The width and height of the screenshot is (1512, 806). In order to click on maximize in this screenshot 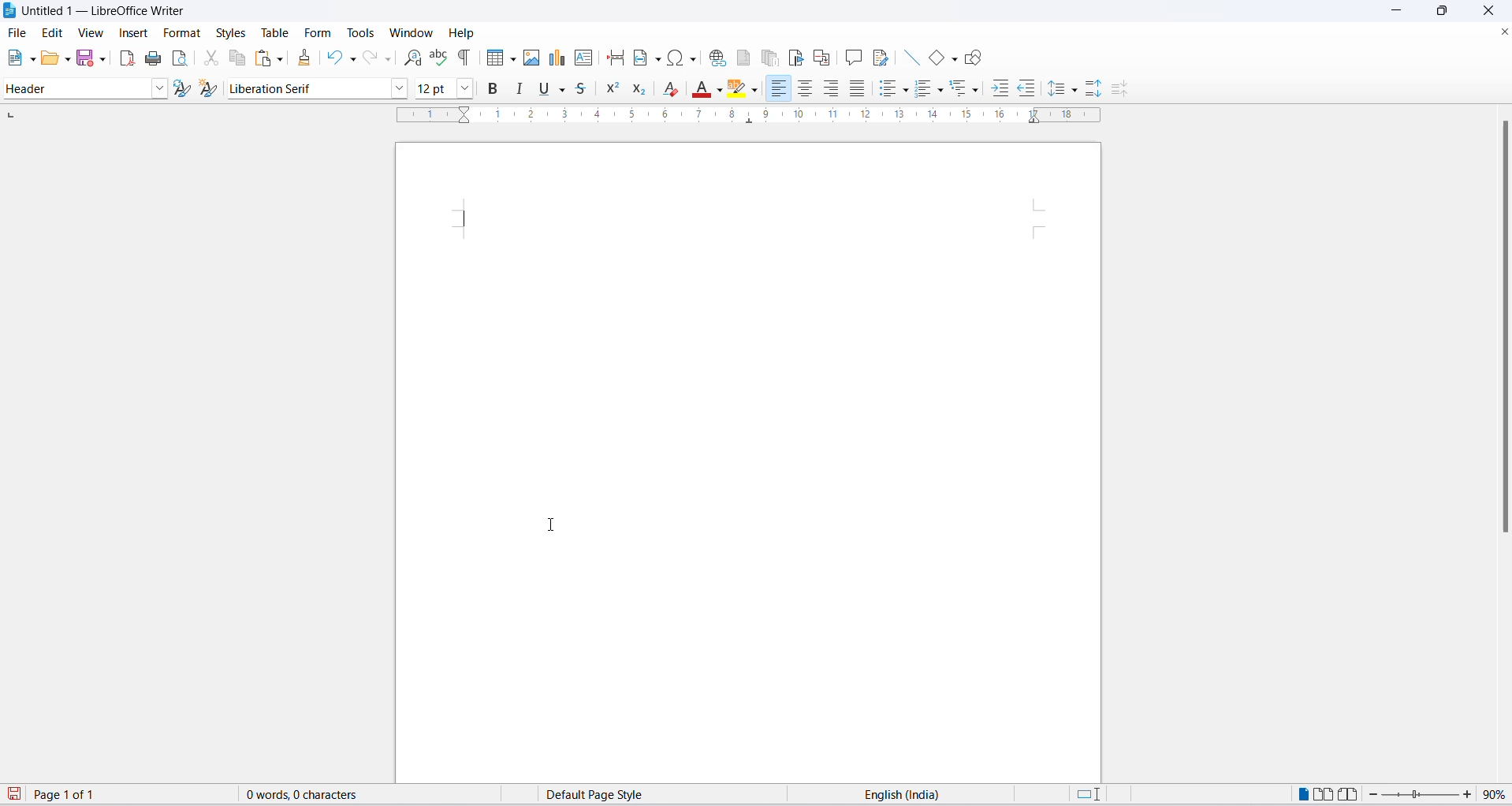, I will do `click(1448, 12)`.